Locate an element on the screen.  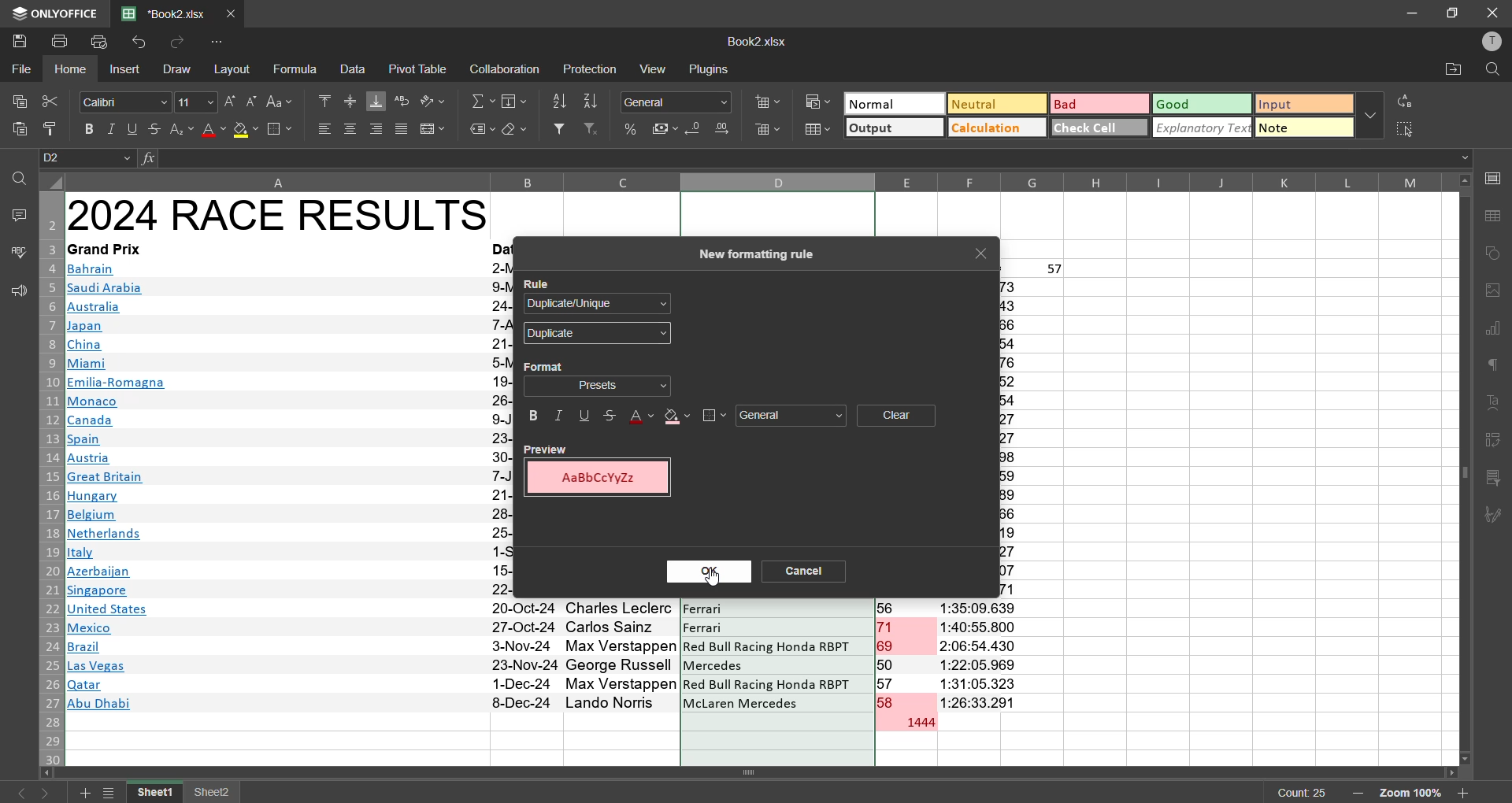
car name is located at coordinates (777, 656).